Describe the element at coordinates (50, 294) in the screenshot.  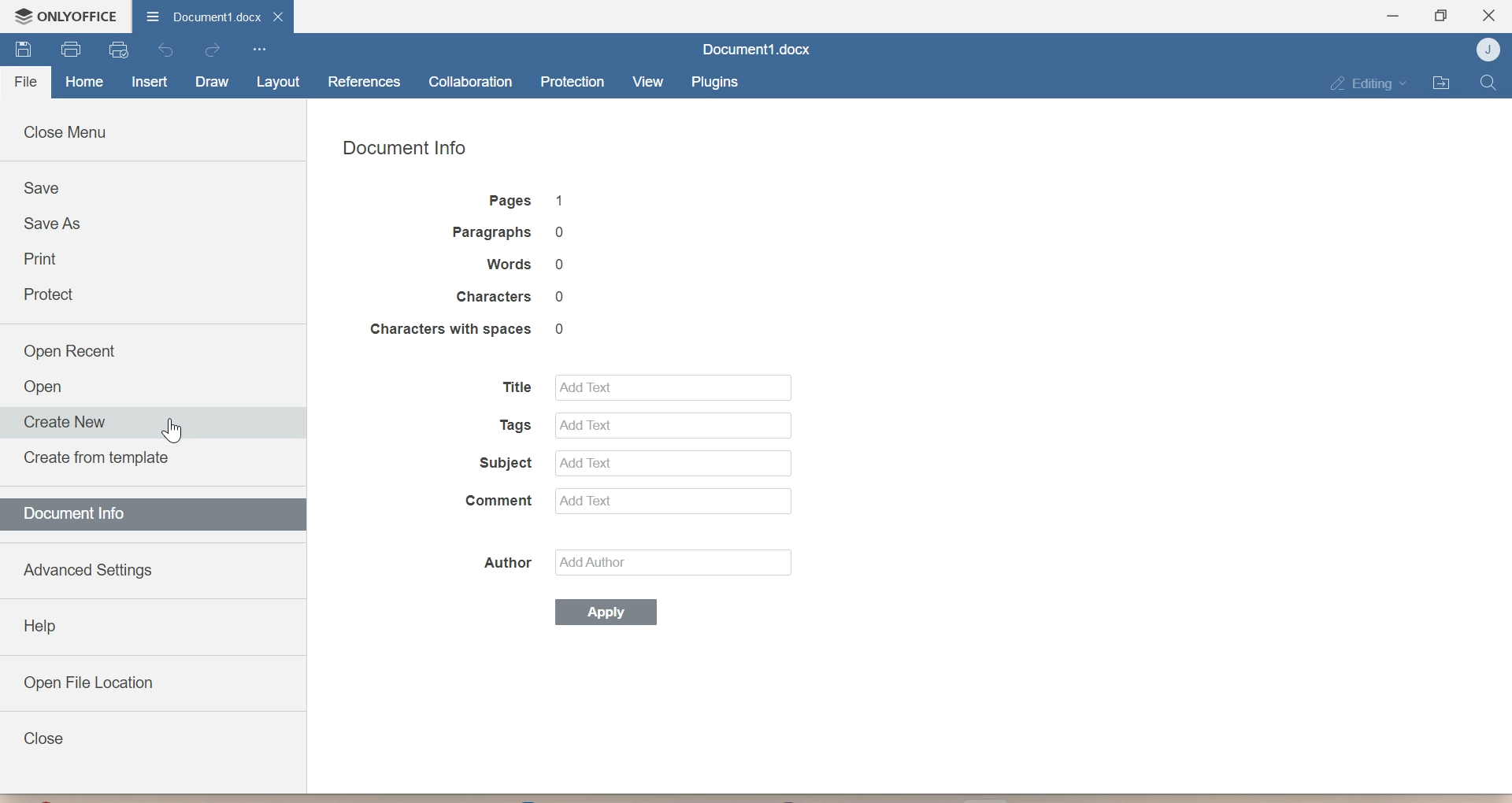
I see `Protect` at that location.